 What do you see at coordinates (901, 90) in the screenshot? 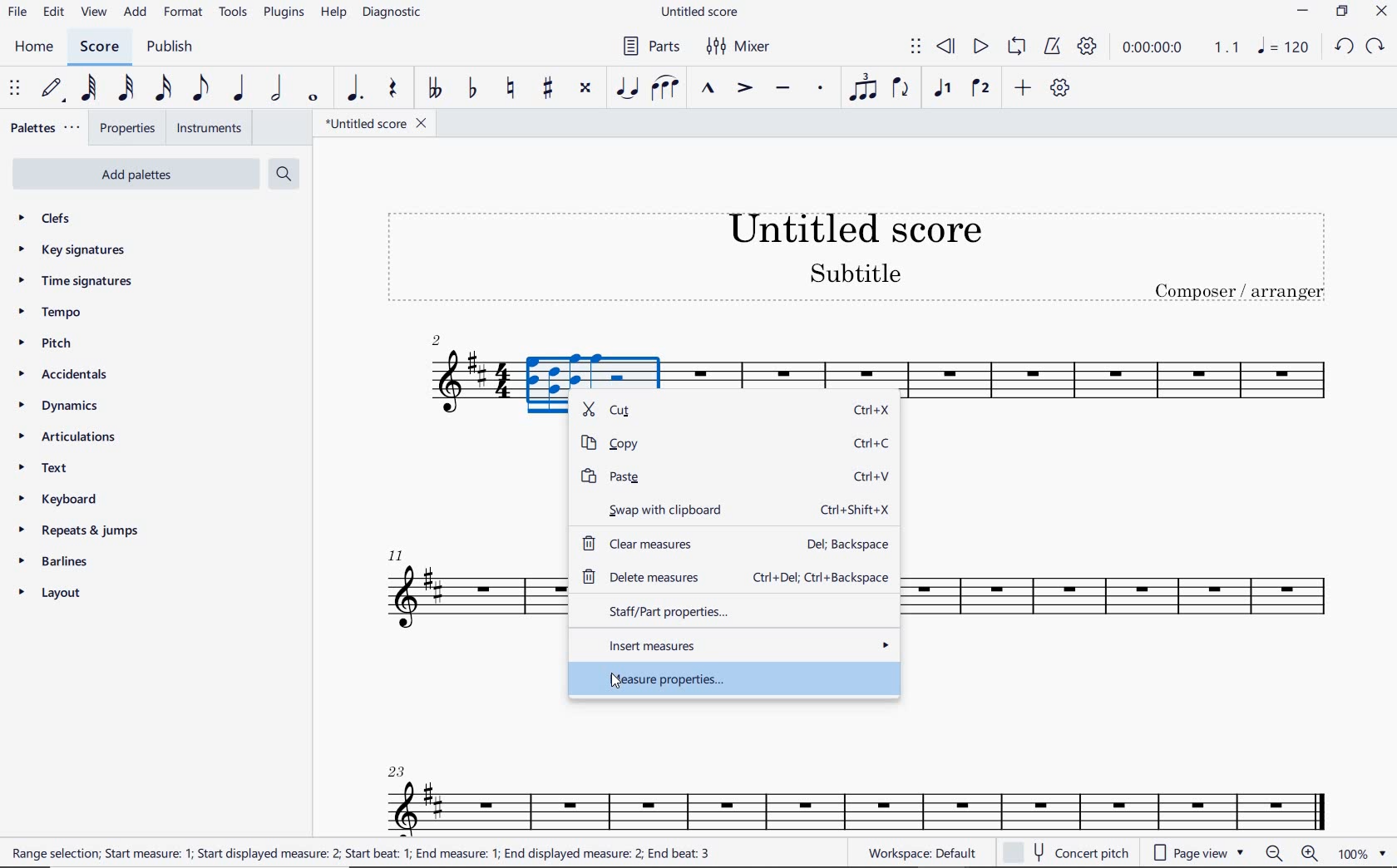
I see `FLIP DIRECTION` at bounding box center [901, 90].